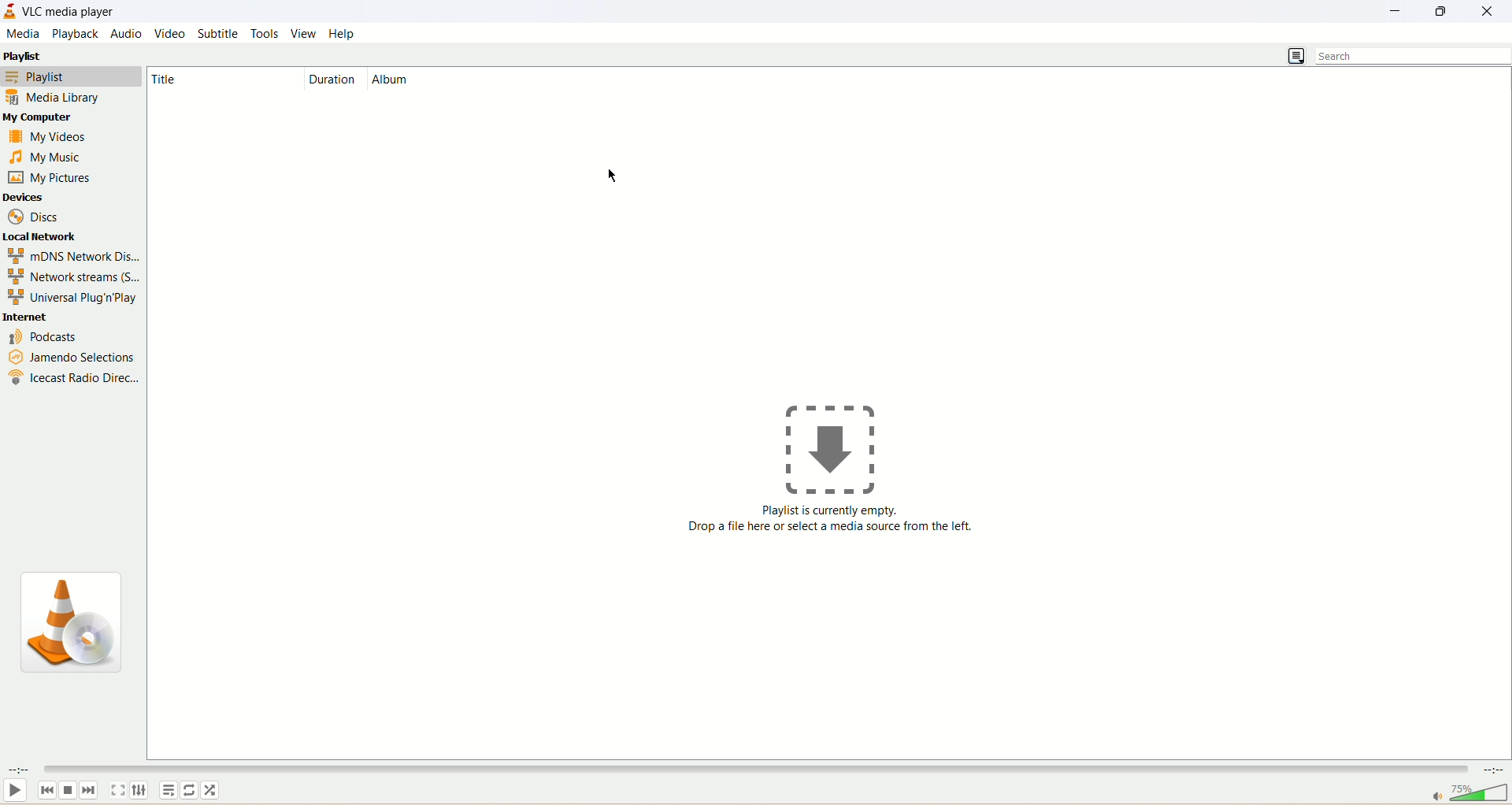 The width and height of the screenshot is (1512, 805). Describe the element at coordinates (301, 34) in the screenshot. I see `view` at that location.